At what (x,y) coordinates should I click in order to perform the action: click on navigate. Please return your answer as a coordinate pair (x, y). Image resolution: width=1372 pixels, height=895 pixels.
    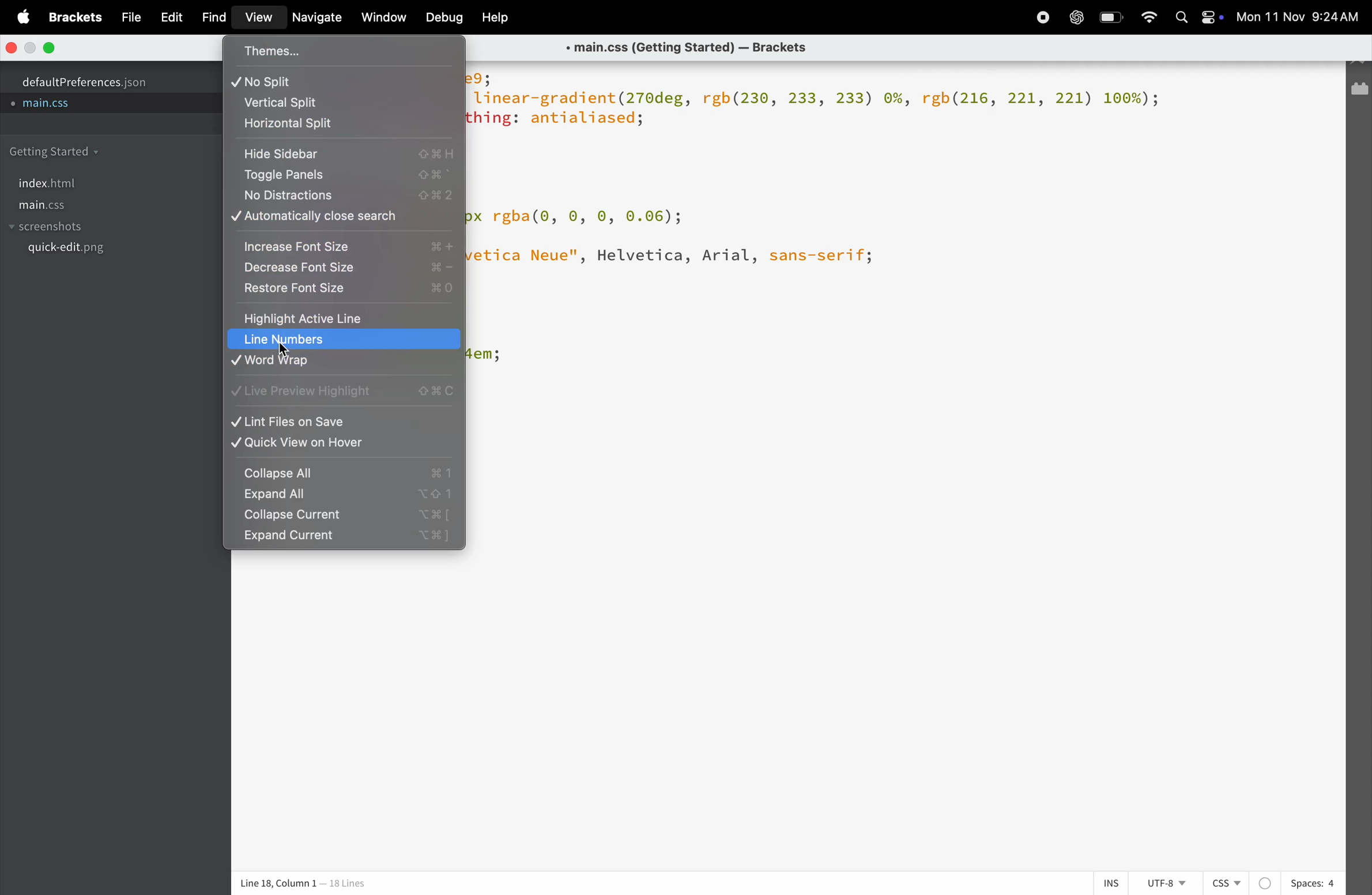
    Looking at the image, I should click on (314, 18).